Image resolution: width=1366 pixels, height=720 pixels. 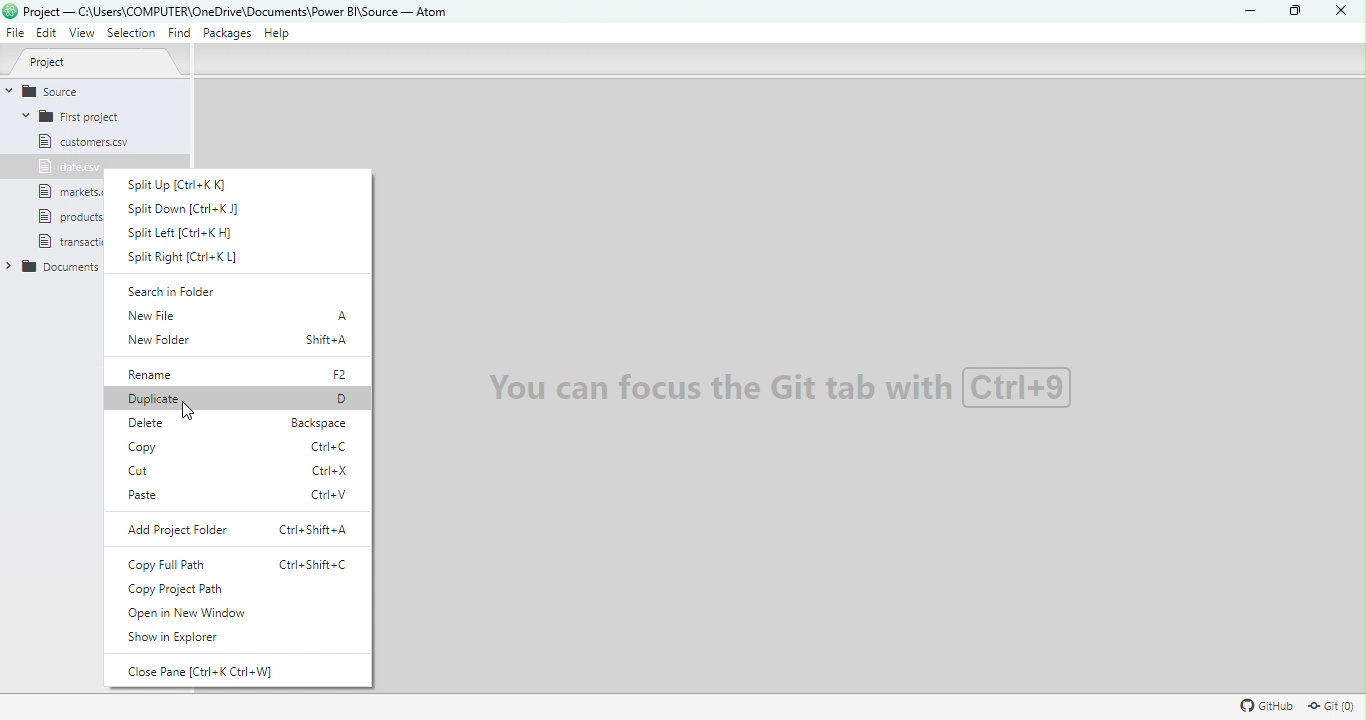 What do you see at coordinates (241, 472) in the screenshot?
I see `Cut` at bounding box center [241, 472].